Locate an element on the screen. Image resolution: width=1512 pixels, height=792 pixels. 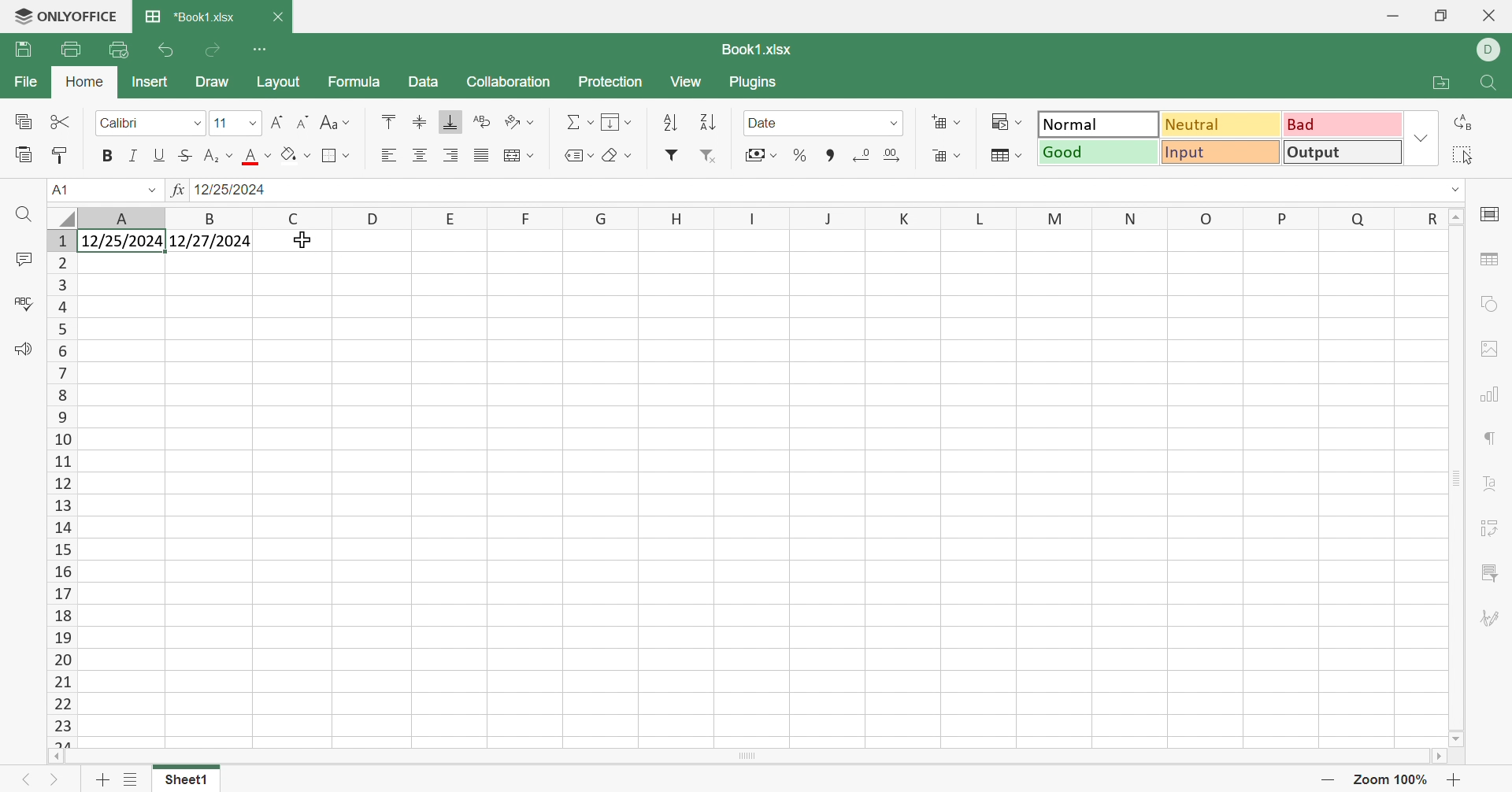
Insert decimal is located at coordinates (895, 154).